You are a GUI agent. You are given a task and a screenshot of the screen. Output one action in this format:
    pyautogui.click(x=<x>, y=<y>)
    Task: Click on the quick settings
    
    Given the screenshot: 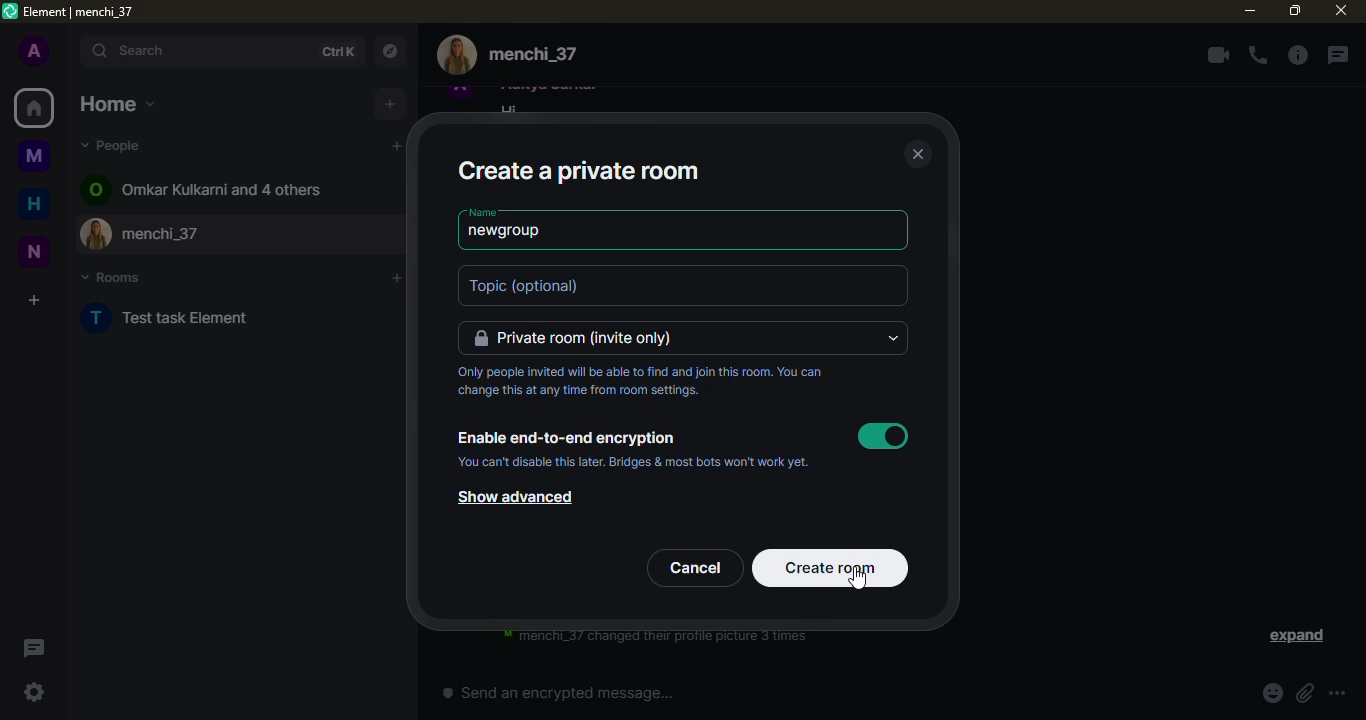 What is the action you would take?
    pyautogui.click(x=34, y=692)
    